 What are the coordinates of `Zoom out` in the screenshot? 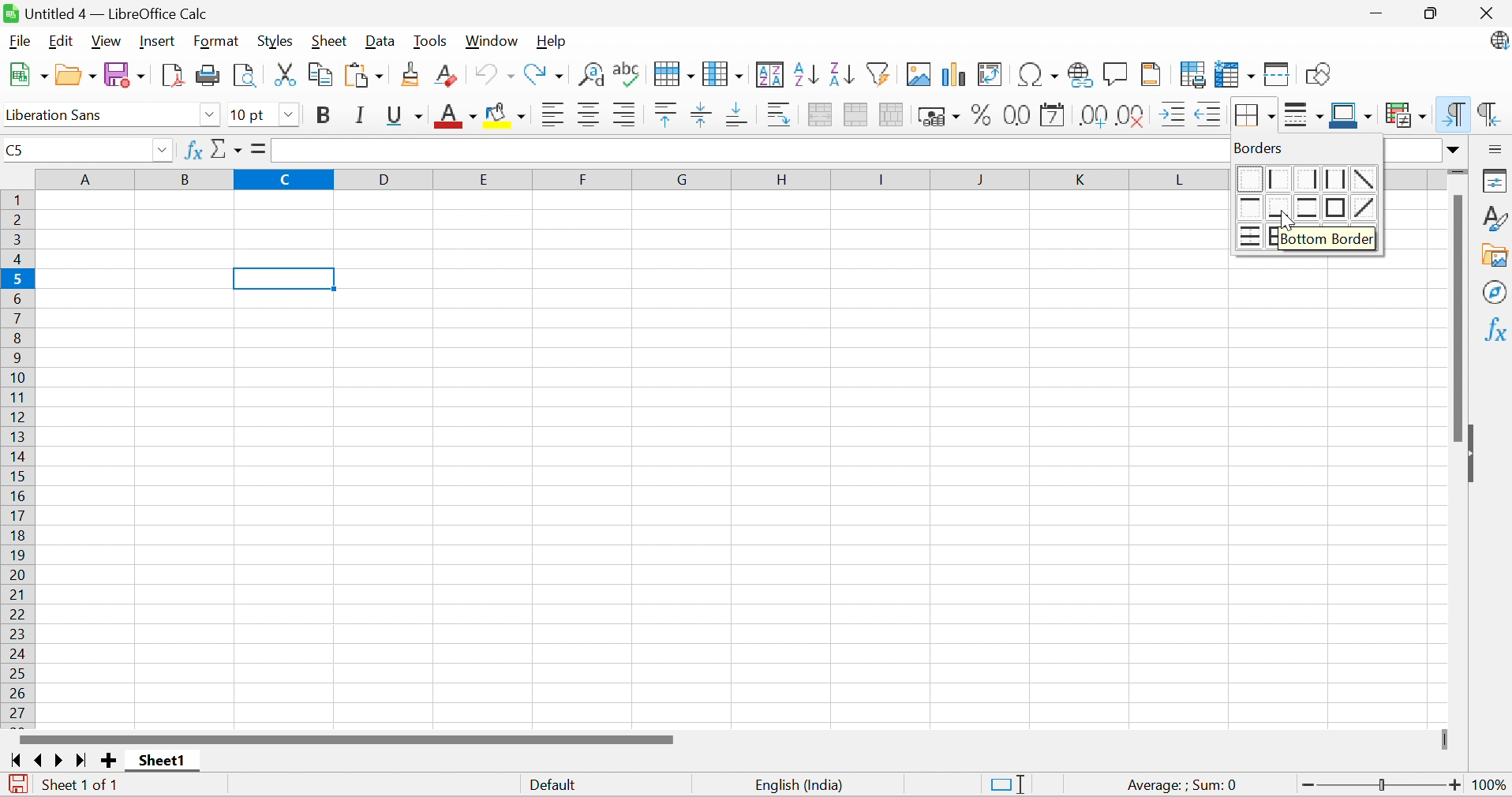 It's located at (1308, 786).